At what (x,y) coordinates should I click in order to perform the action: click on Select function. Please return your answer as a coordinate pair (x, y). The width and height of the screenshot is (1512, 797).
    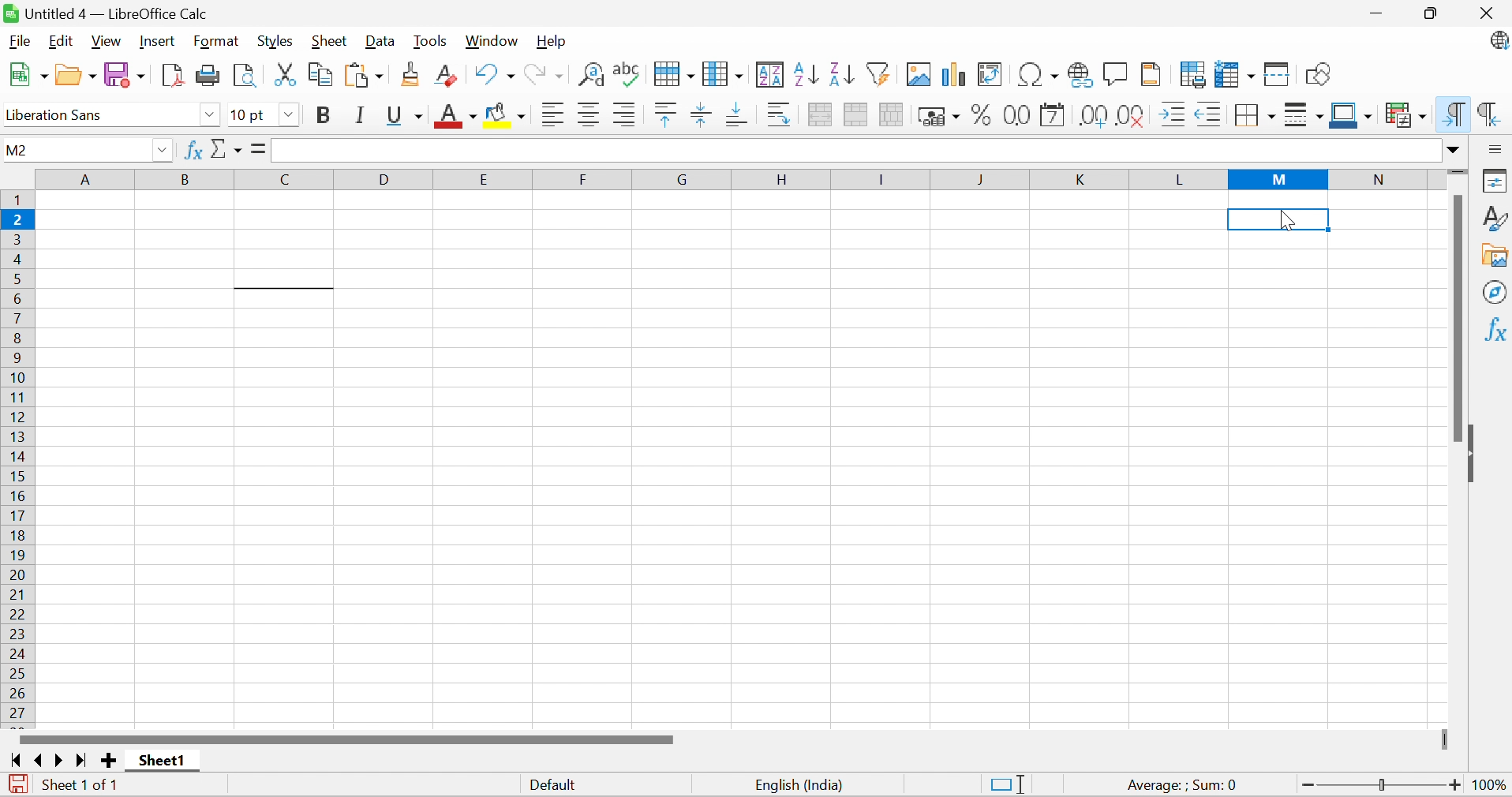
    Looking at the image, I should click on (227, 151).